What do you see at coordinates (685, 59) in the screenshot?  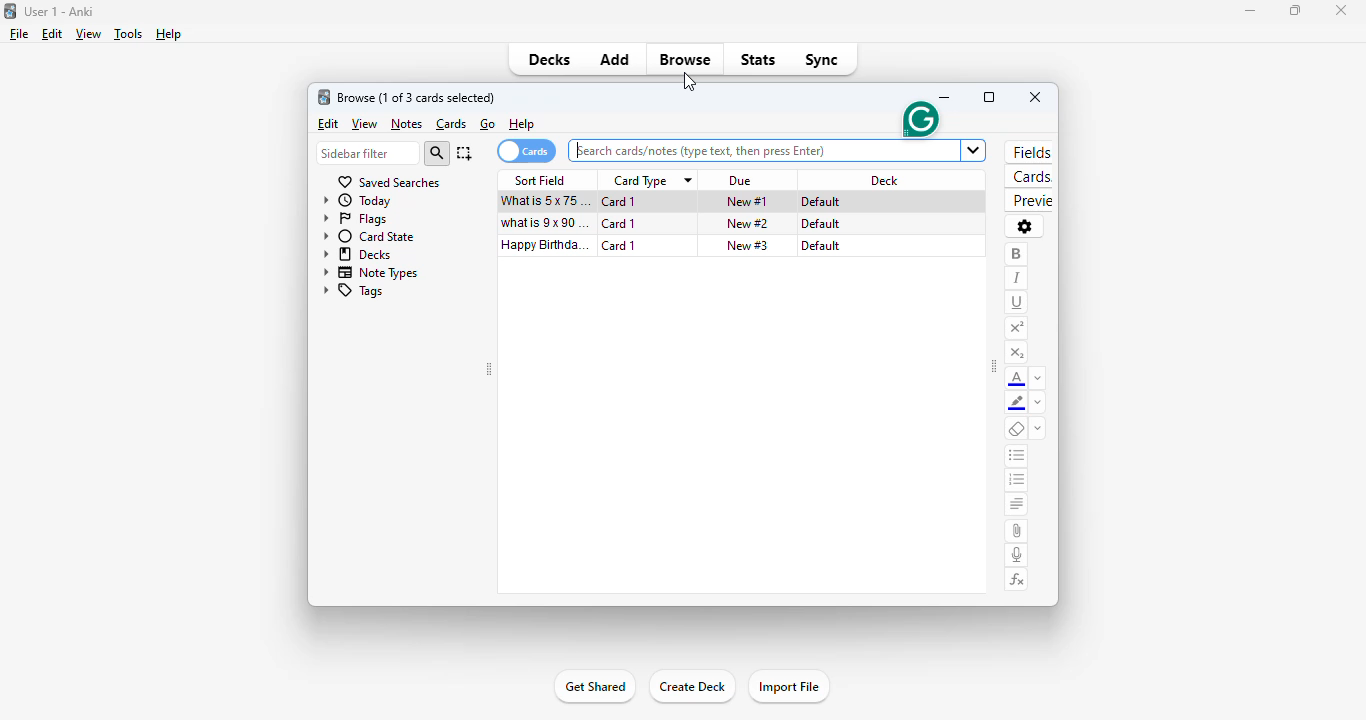 I see `browse` at bounding box center [685, 59].